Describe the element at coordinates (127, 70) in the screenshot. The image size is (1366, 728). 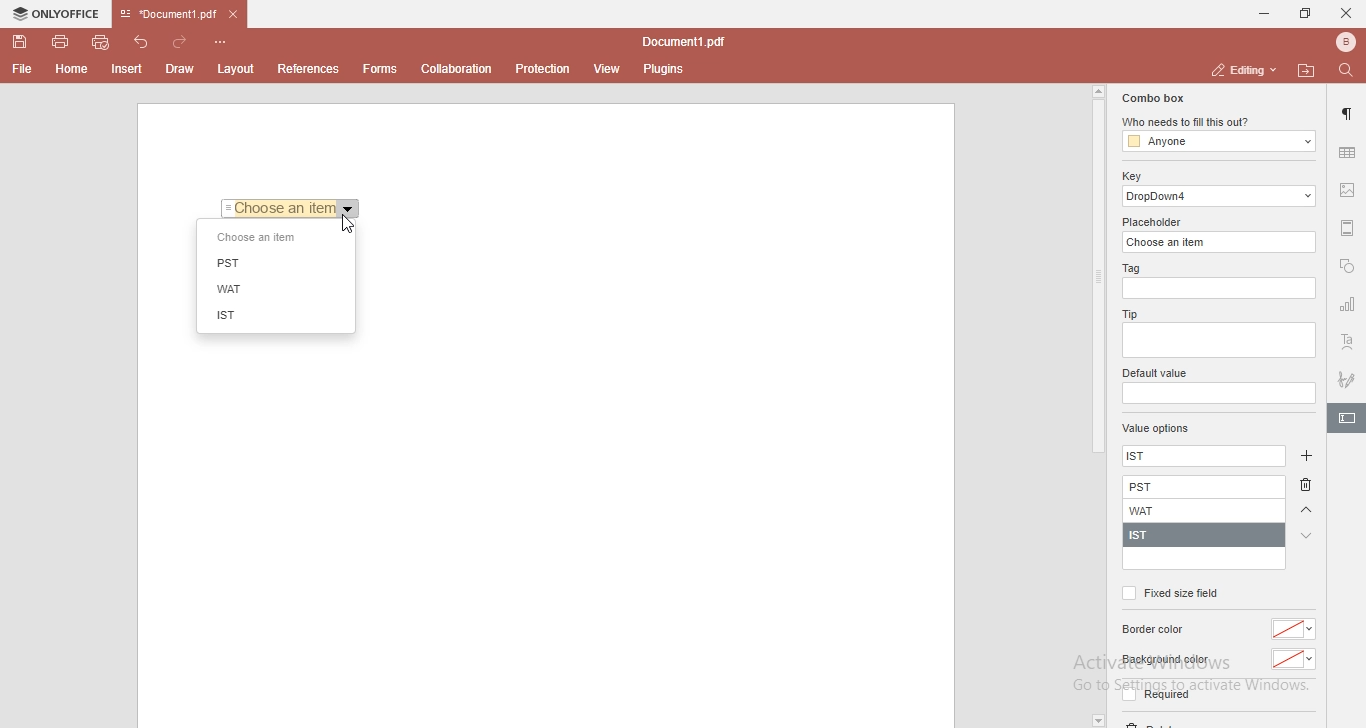
I see `Insert` at that location.